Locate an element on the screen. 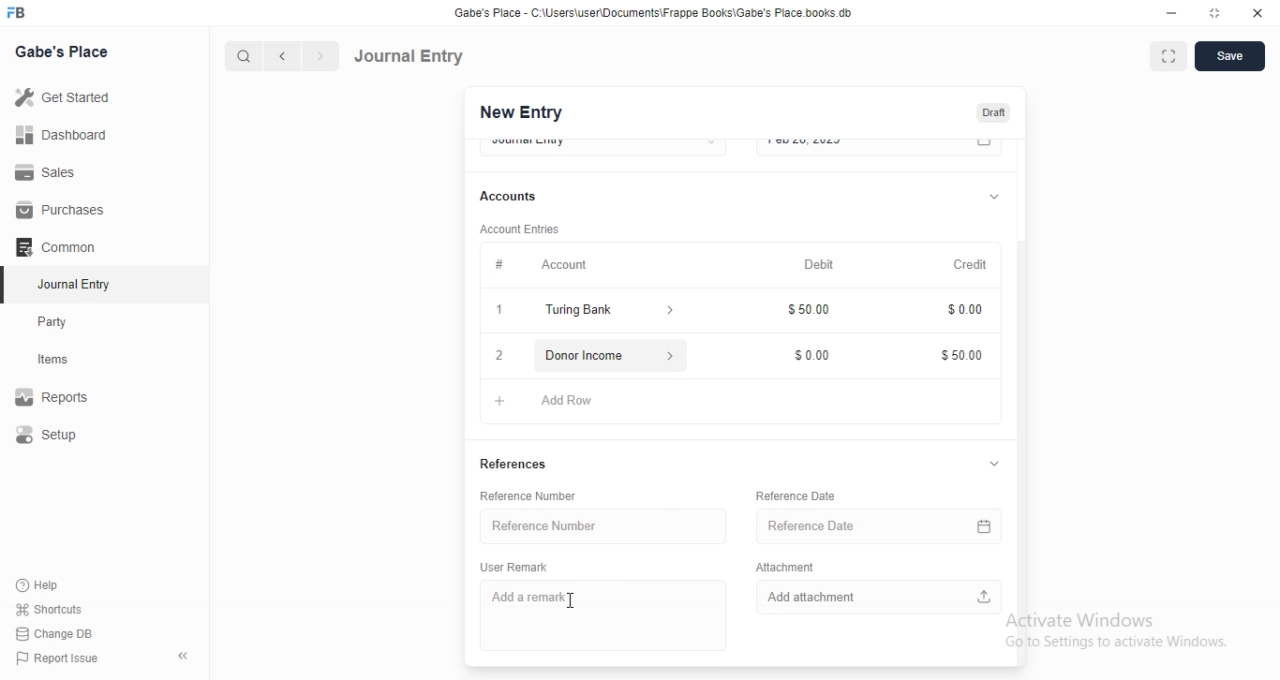 This screenshot has height=680, width=1280. calender is located at coordinates (988, 523).